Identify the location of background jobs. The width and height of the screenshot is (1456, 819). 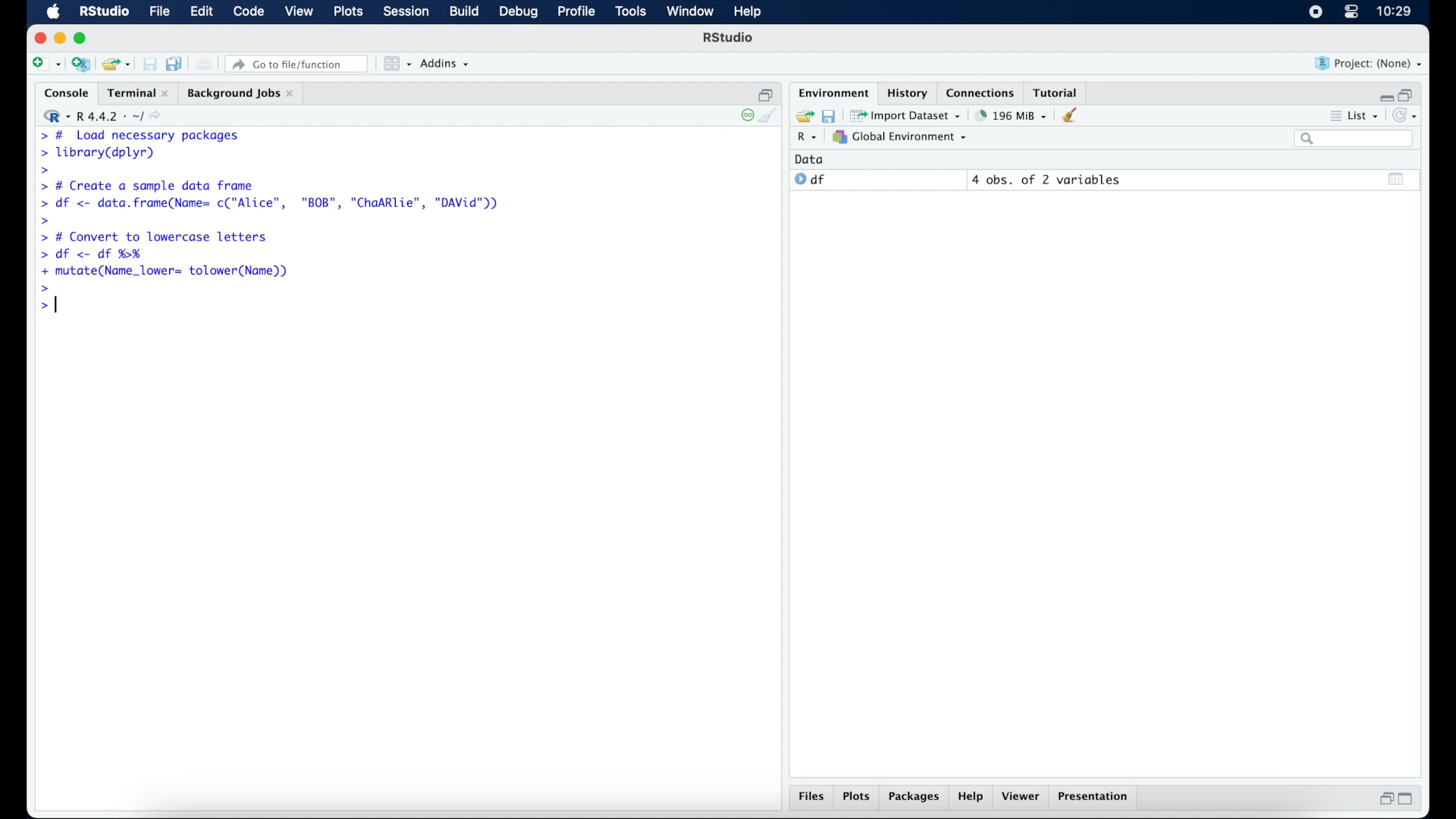
(240, 93).